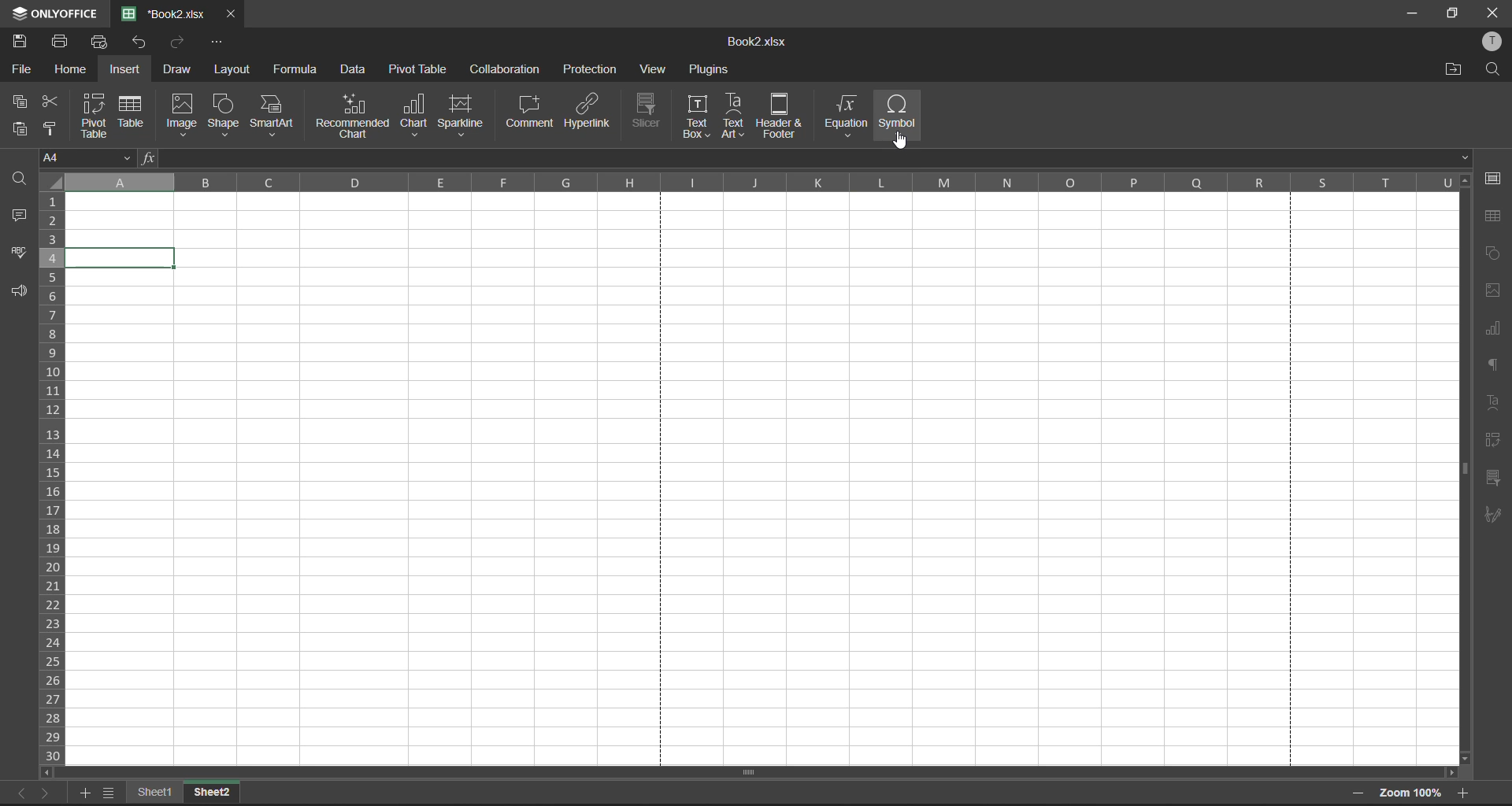  I want to click on ONLYOFFICE, so click(70, 14).